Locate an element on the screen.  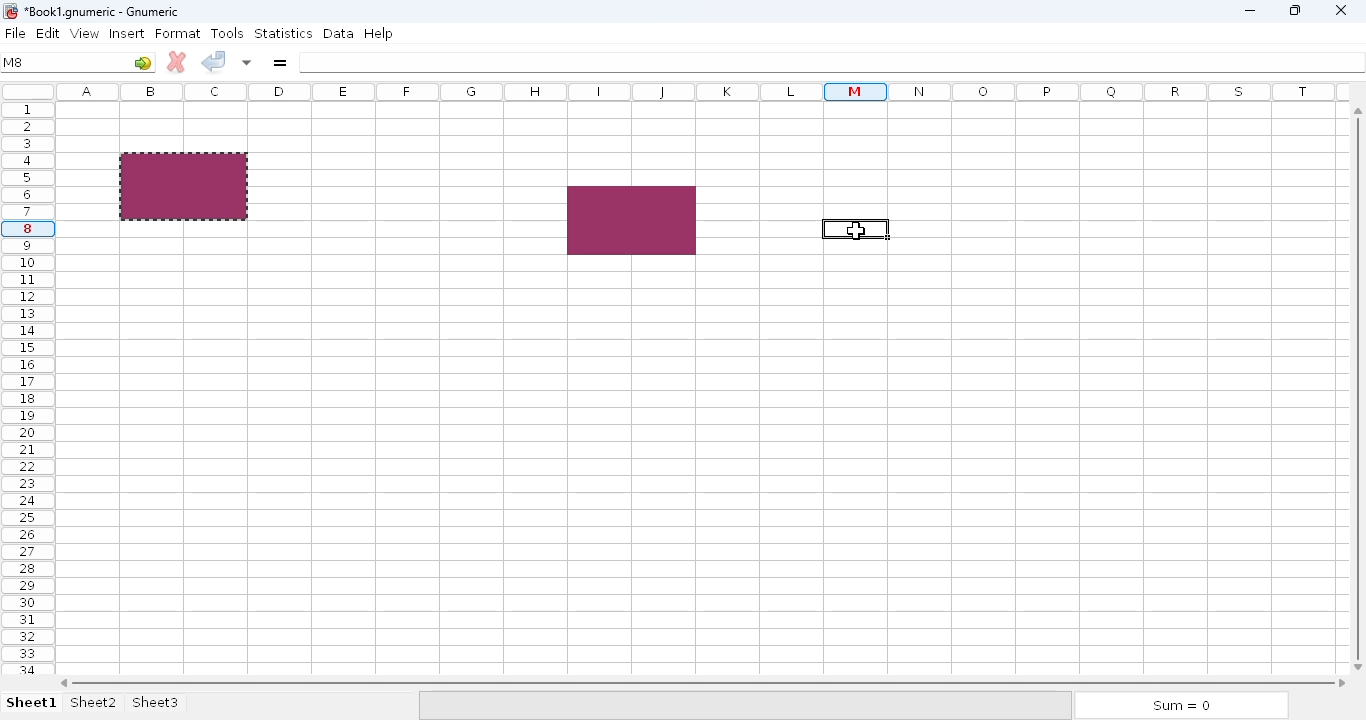
vertical scroll bar is located at coordinates (1357, 388).